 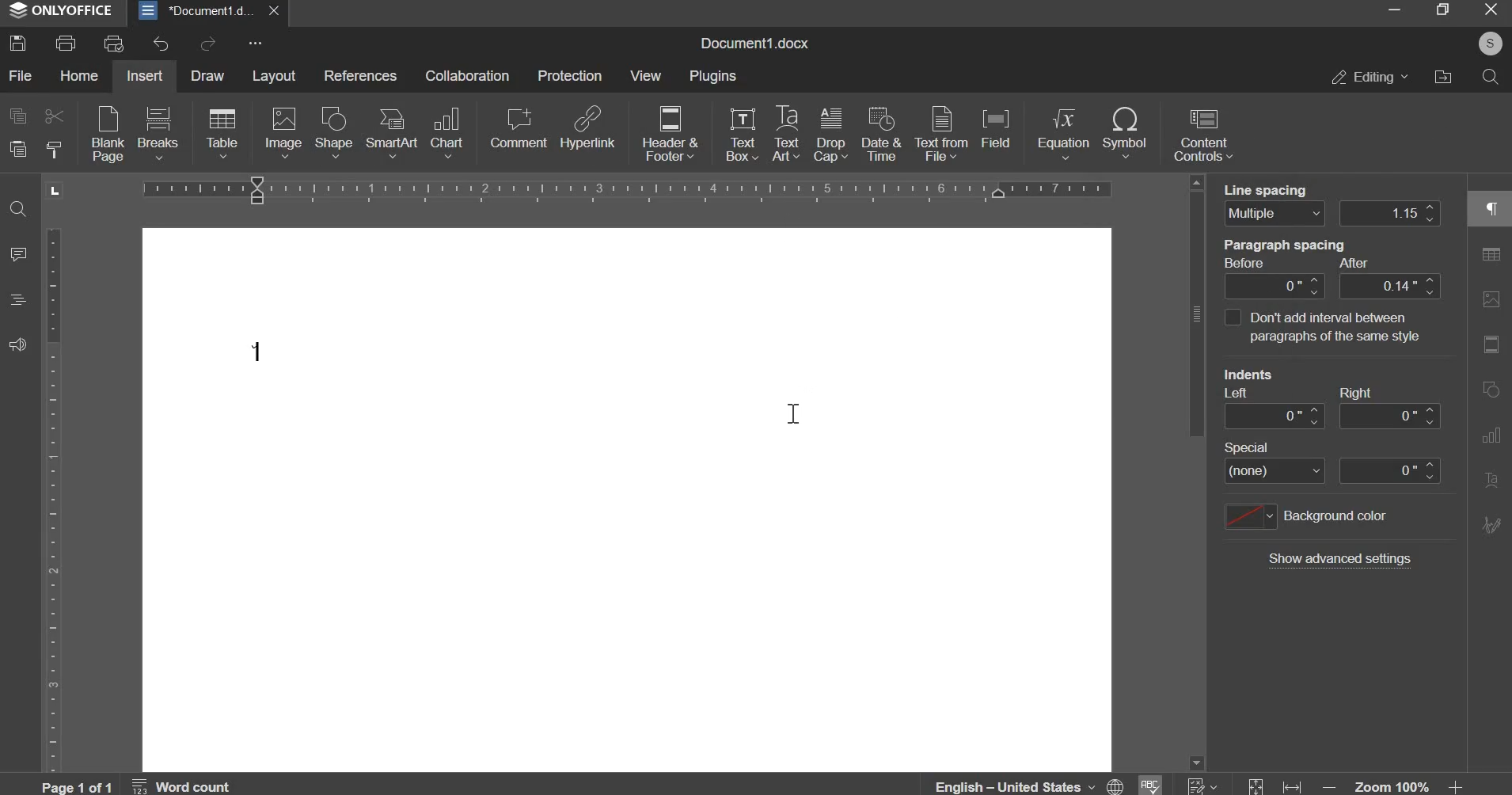 What do you see at coordinates (19, 253) in the screenshot?
I see `comment` at bounding box center [19, 253].